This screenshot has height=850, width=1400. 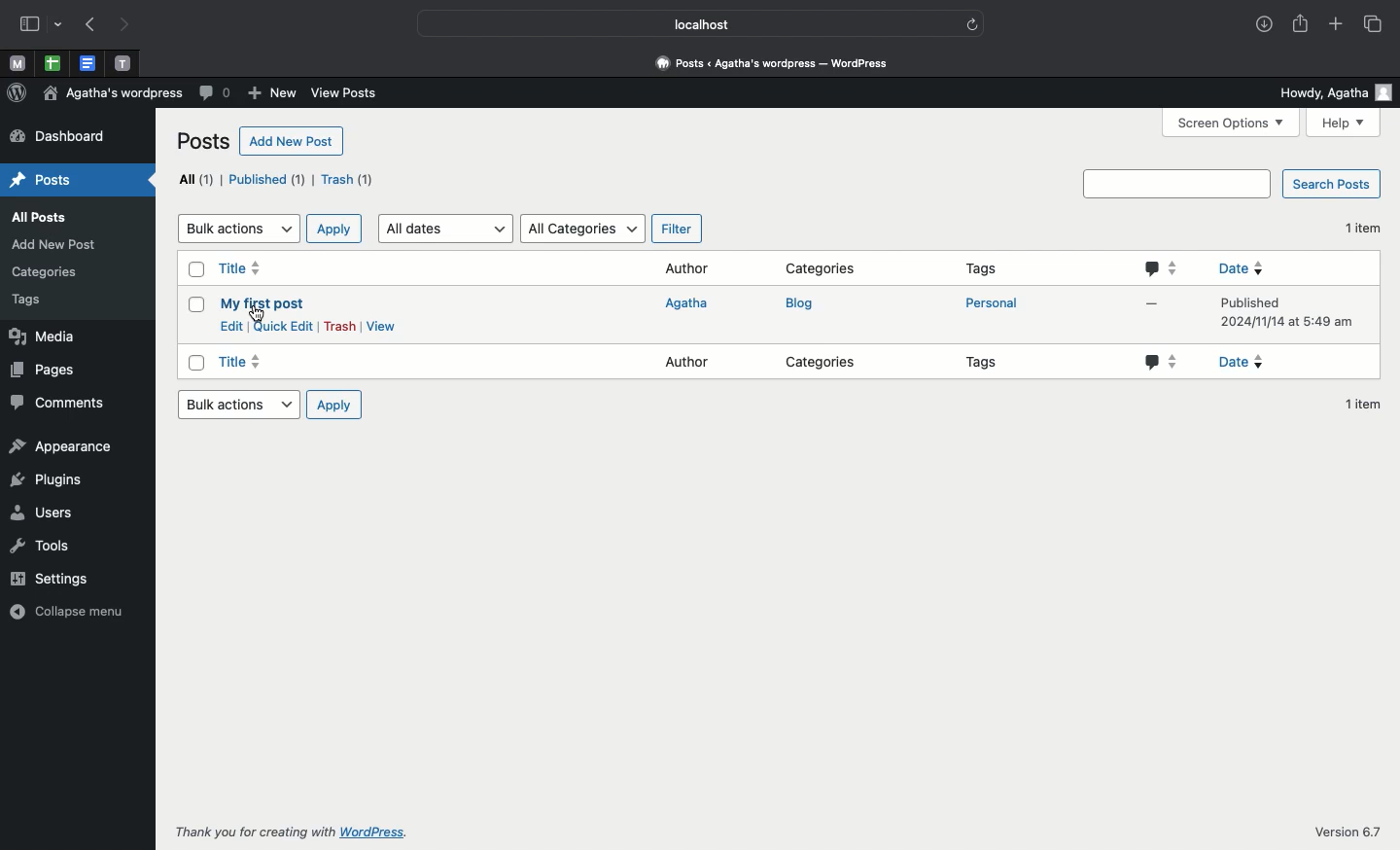 I want to click on Checkbox, so click(x=196, y=271).